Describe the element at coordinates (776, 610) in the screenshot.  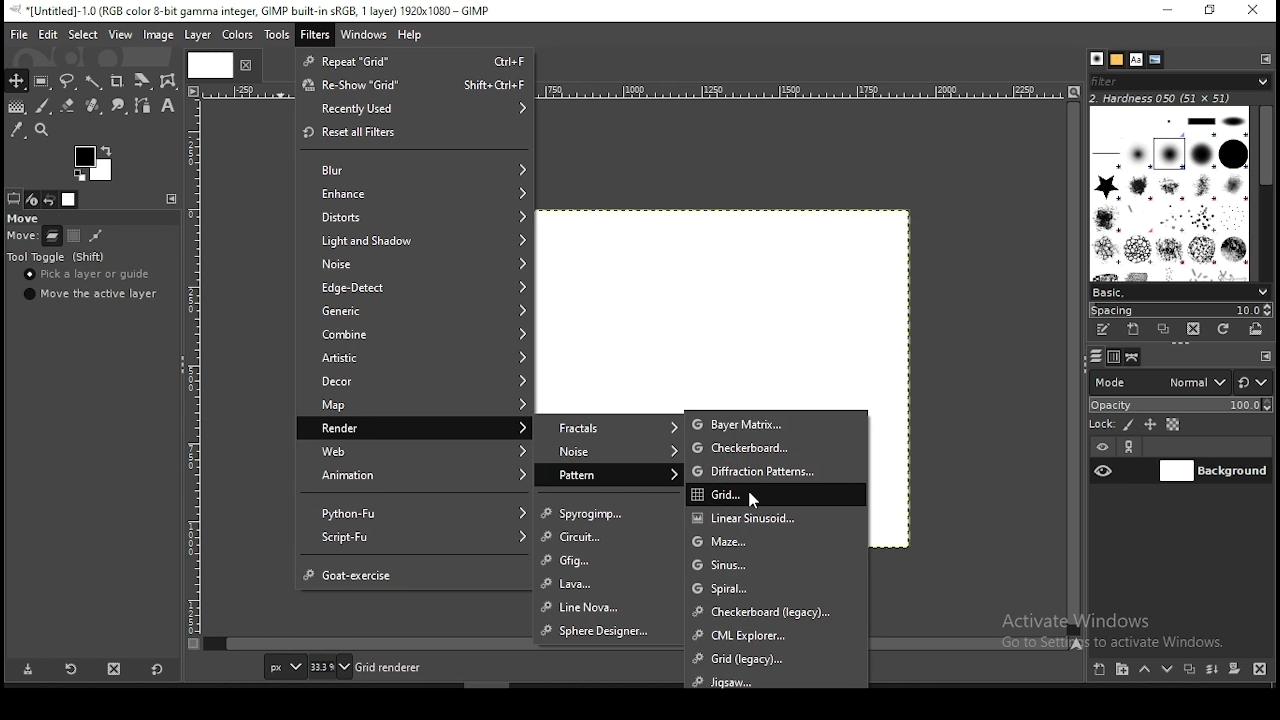
I see `checkerboard ` at that location.